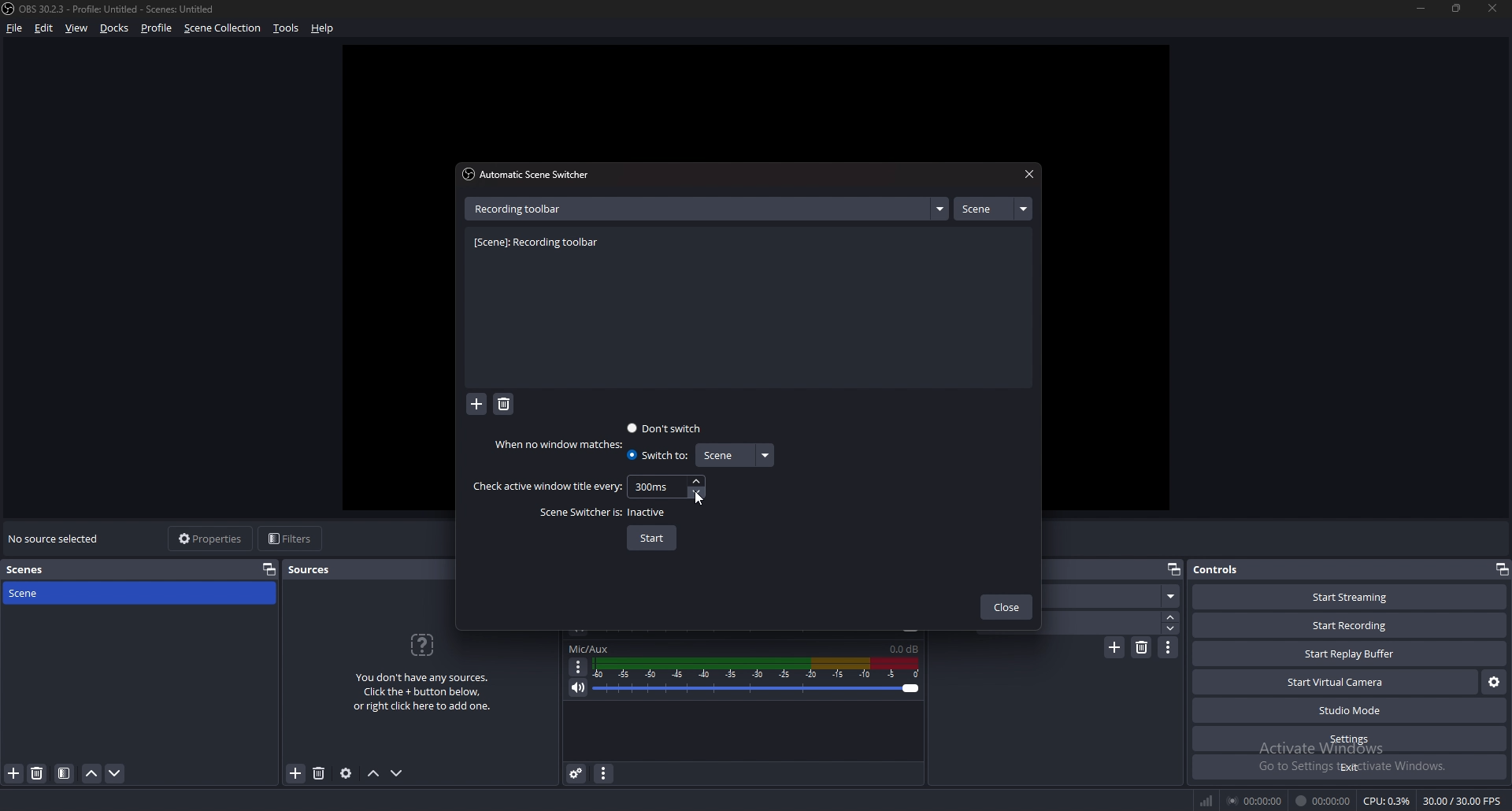 The height and width of the screenshot is (811, 1512). Describe the element at coordinates (319, 774) in the screenshot. I see `remove source` at that location.